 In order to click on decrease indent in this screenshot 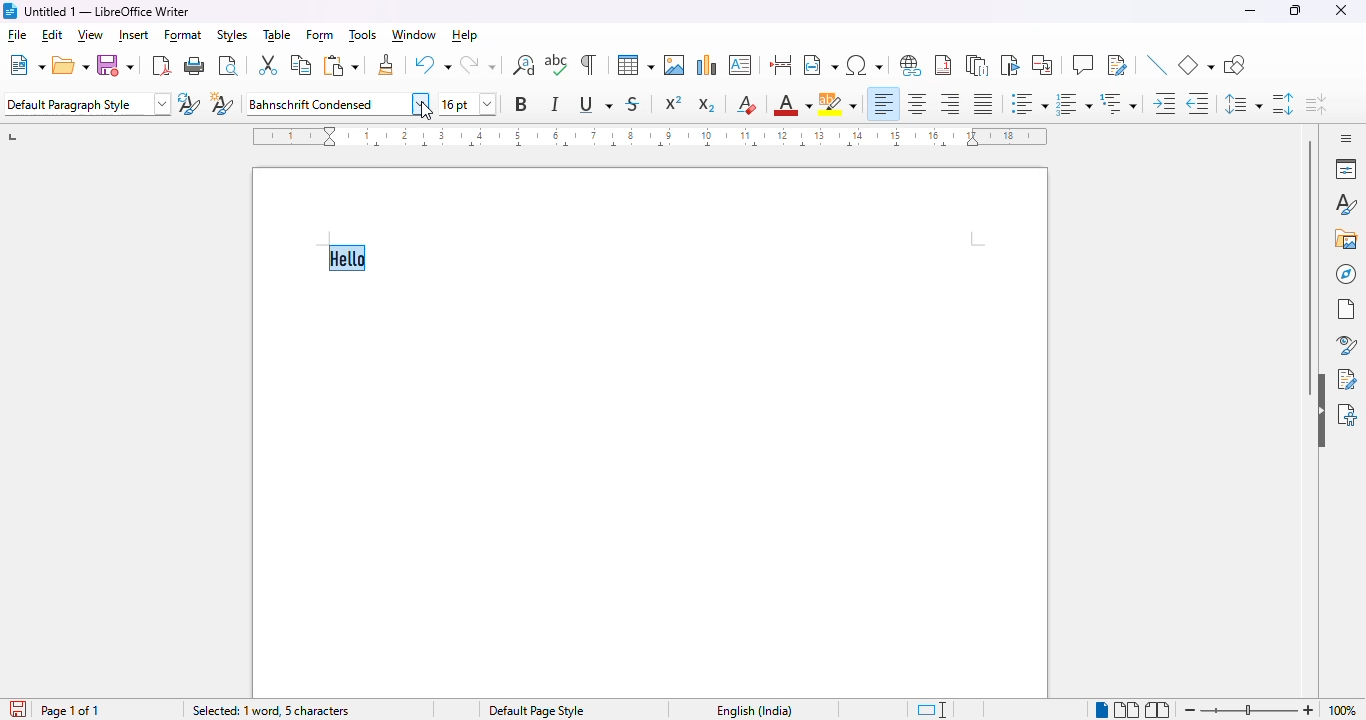, I will do `click(1198, 103)`.